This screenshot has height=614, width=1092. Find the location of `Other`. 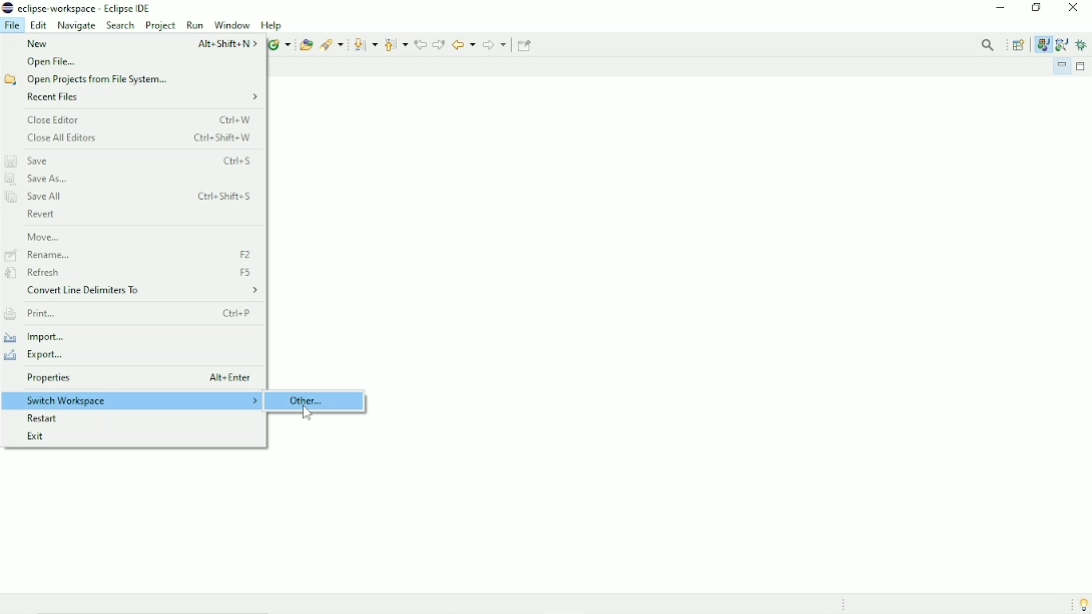

Other is located at coordinates (313, 401).